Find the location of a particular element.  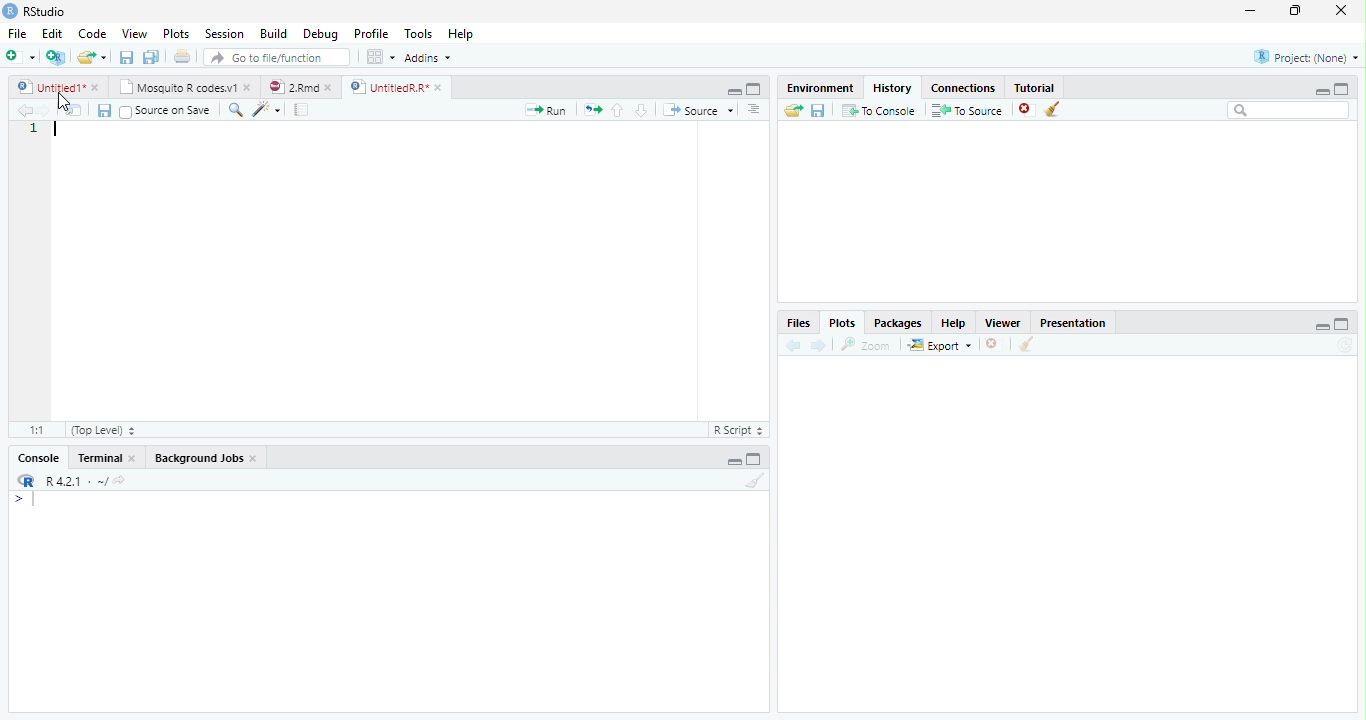

Plots is located at coordinates (842, 323).